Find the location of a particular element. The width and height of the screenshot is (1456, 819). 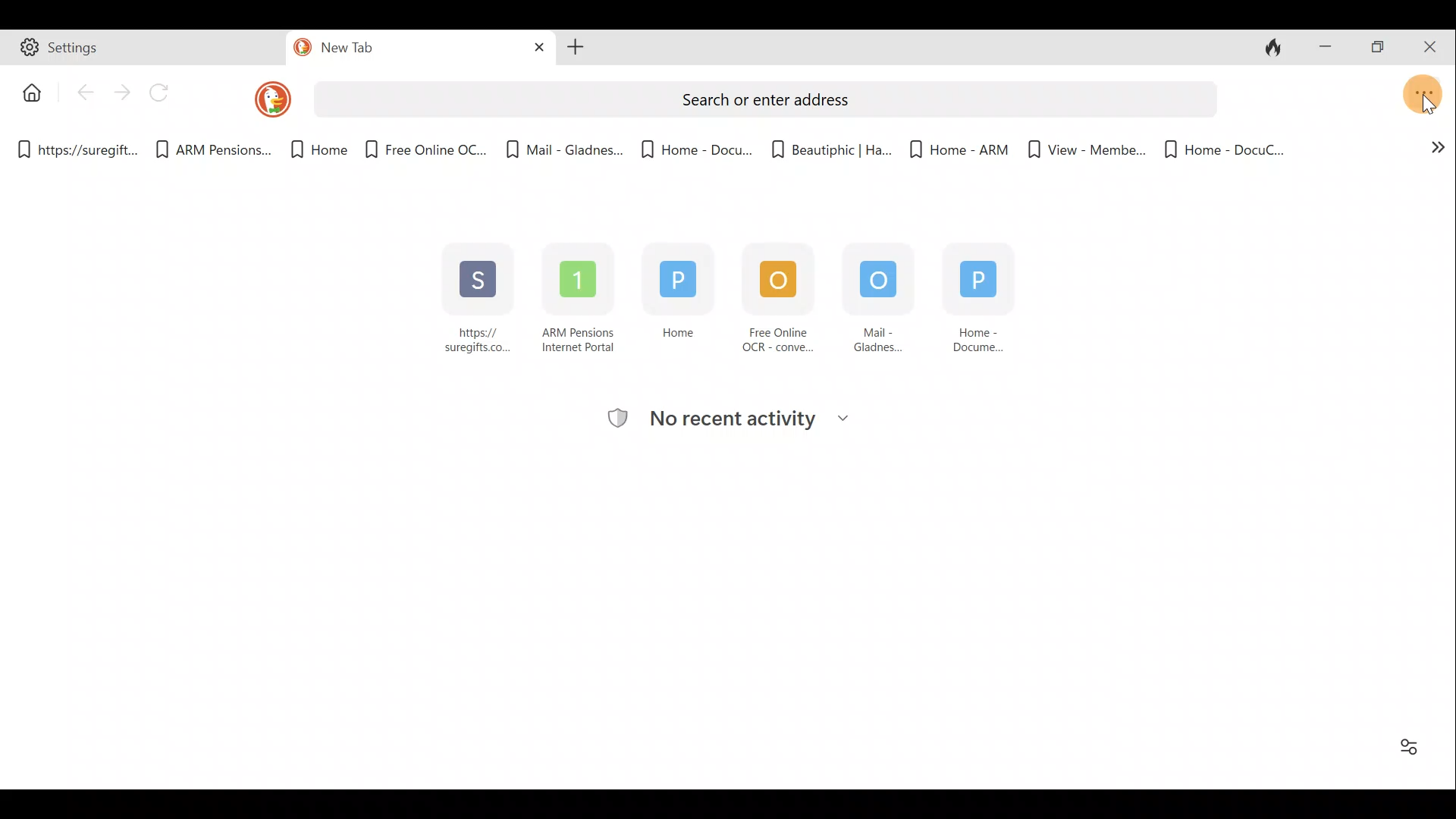

Show more bookmarks is located at coordinates (1438, 144).